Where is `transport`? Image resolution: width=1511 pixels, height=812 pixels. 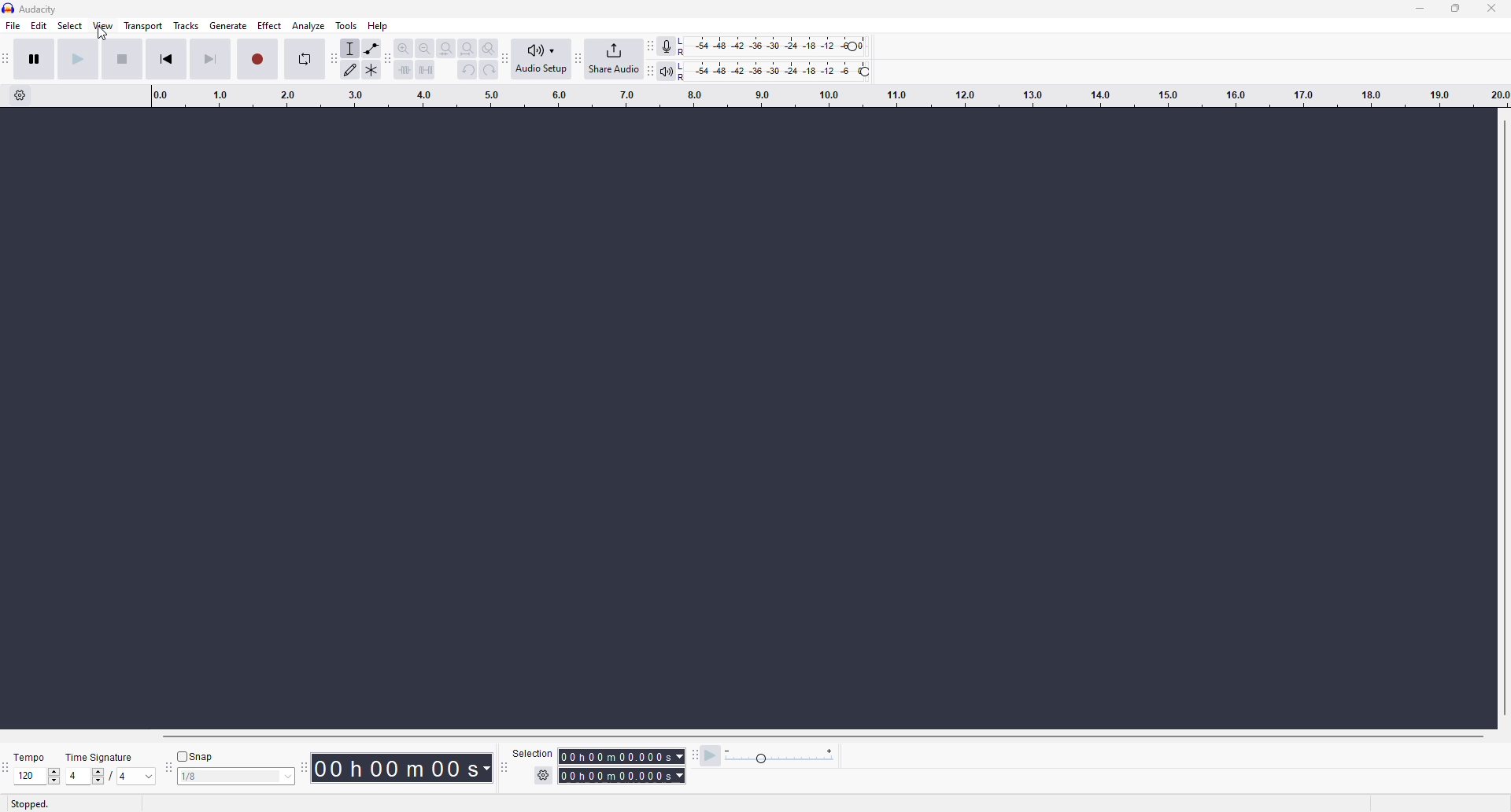 transport is located at coordinates (143, 27).